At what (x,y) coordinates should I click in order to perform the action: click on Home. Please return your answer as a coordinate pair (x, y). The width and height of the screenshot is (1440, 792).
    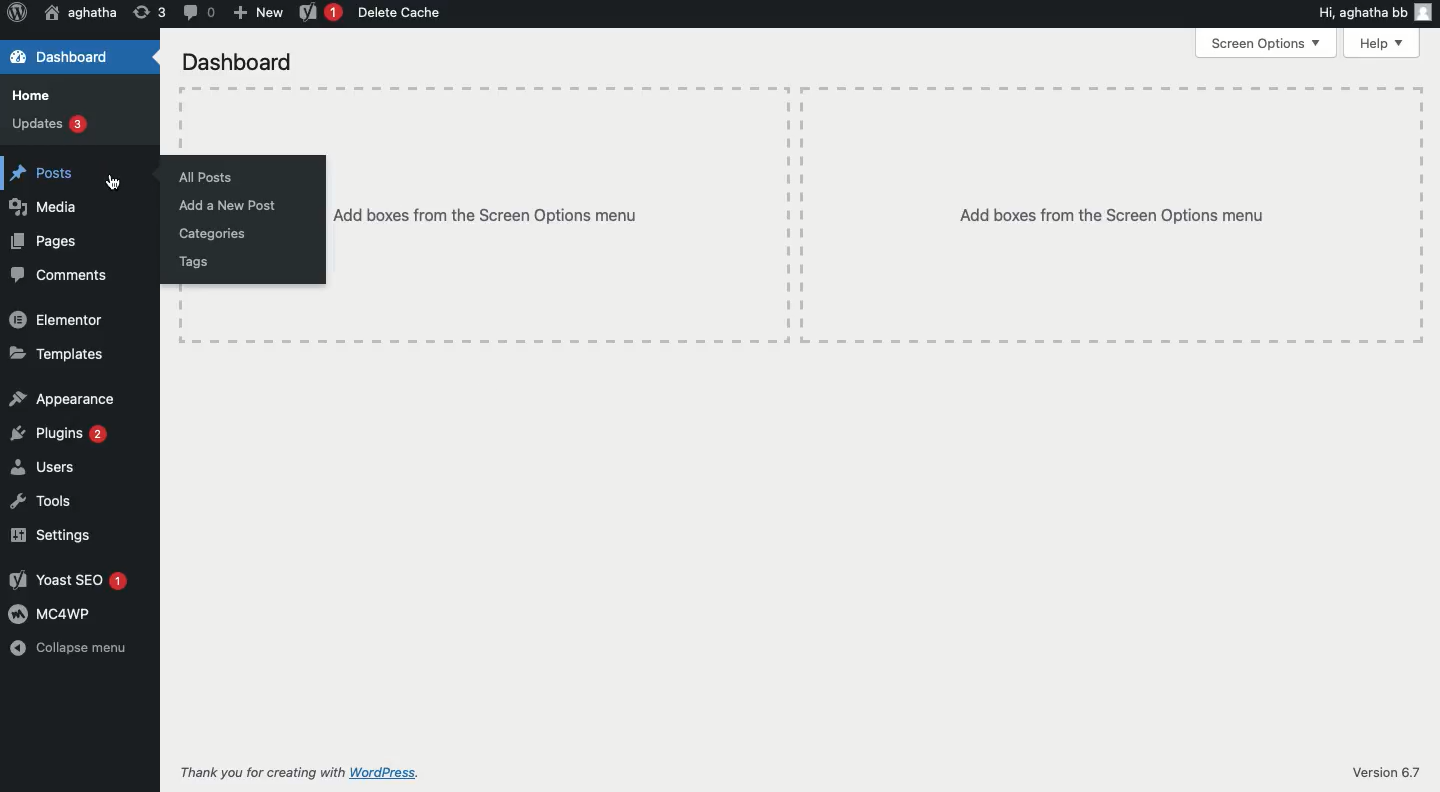
    Looking at the image, I should click on (28, 95).